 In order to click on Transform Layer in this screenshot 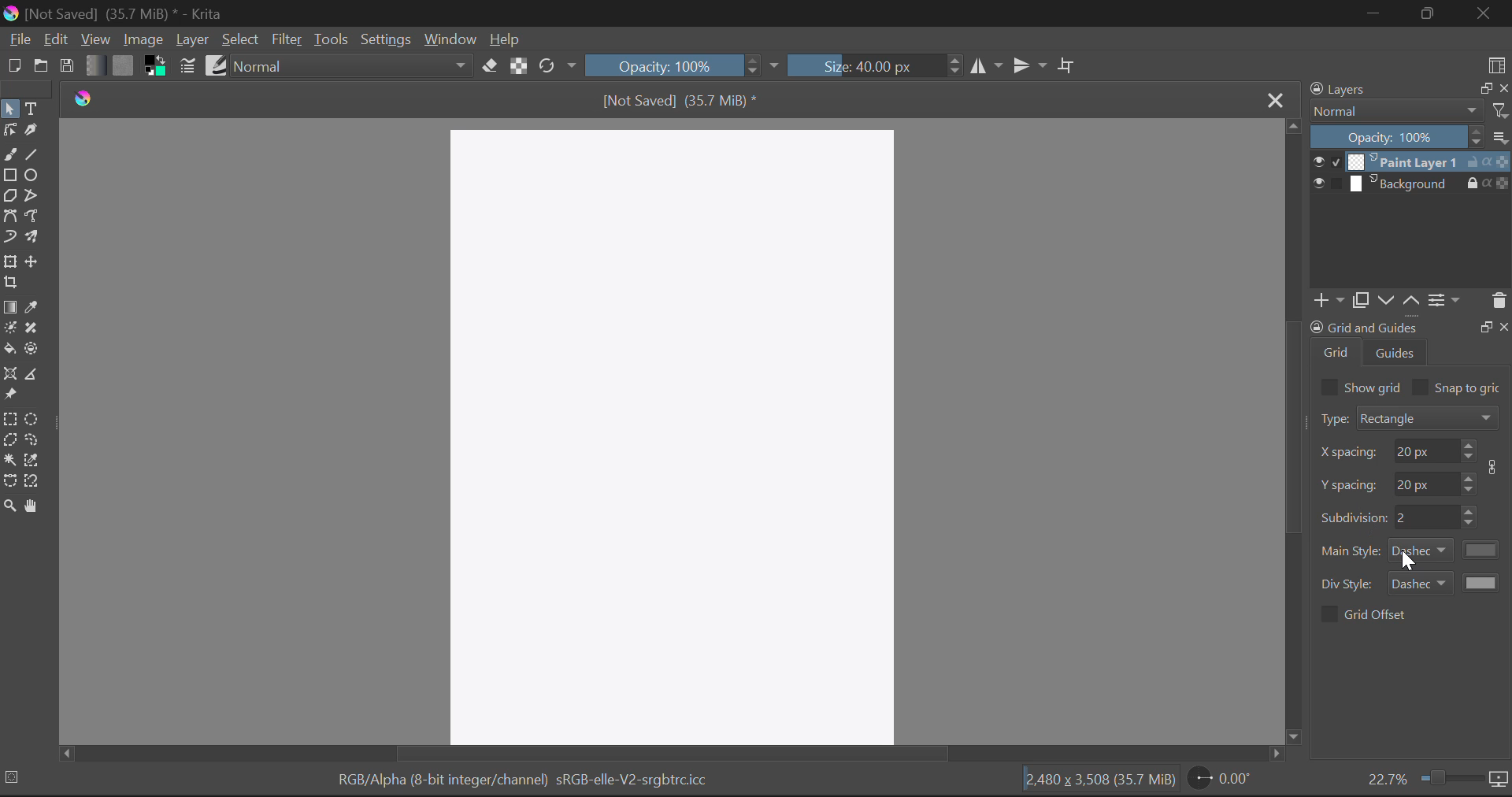, I will do `click(9, 262)`.